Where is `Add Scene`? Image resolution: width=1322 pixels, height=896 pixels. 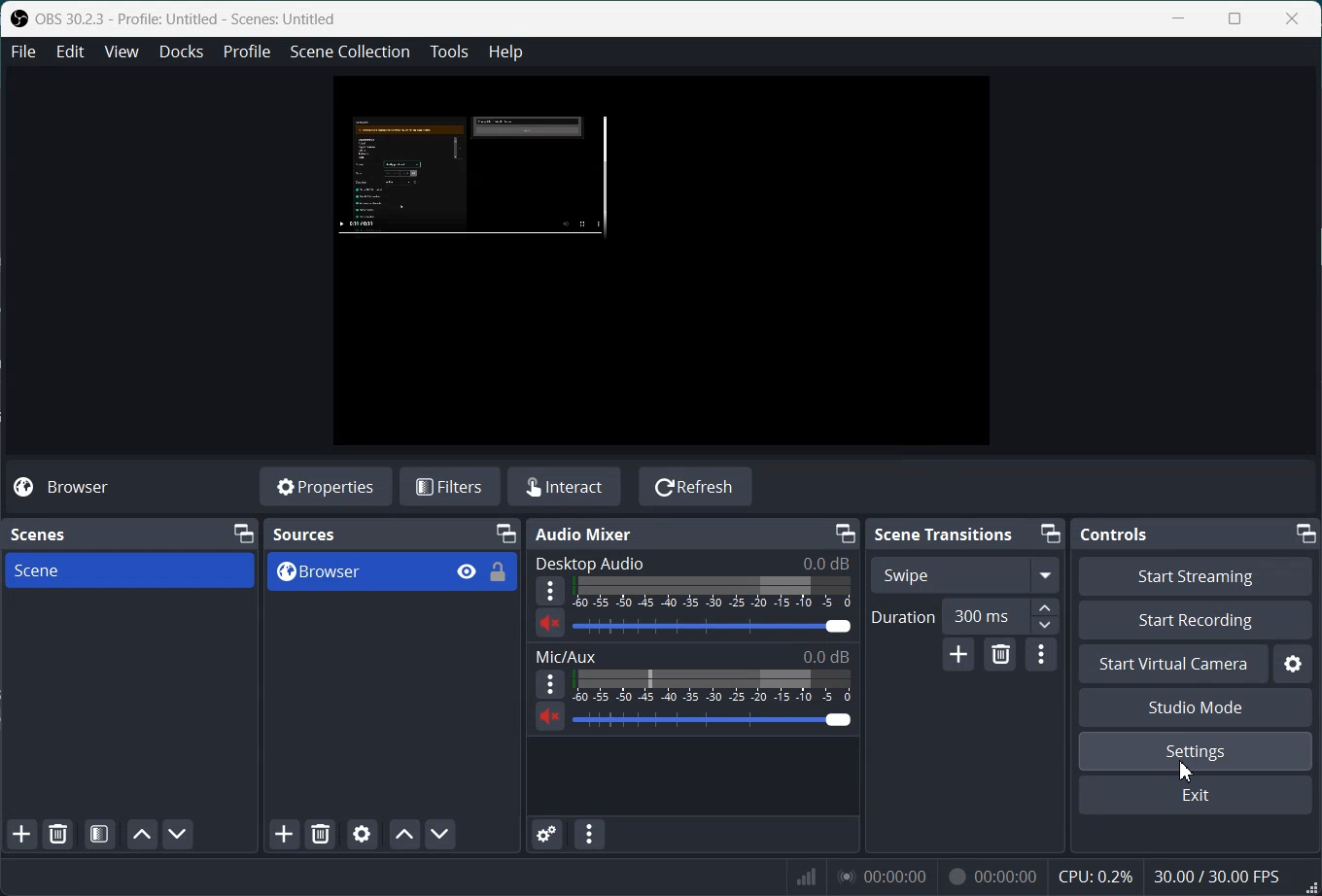 Add Scene is located at coordinates (21, 835).